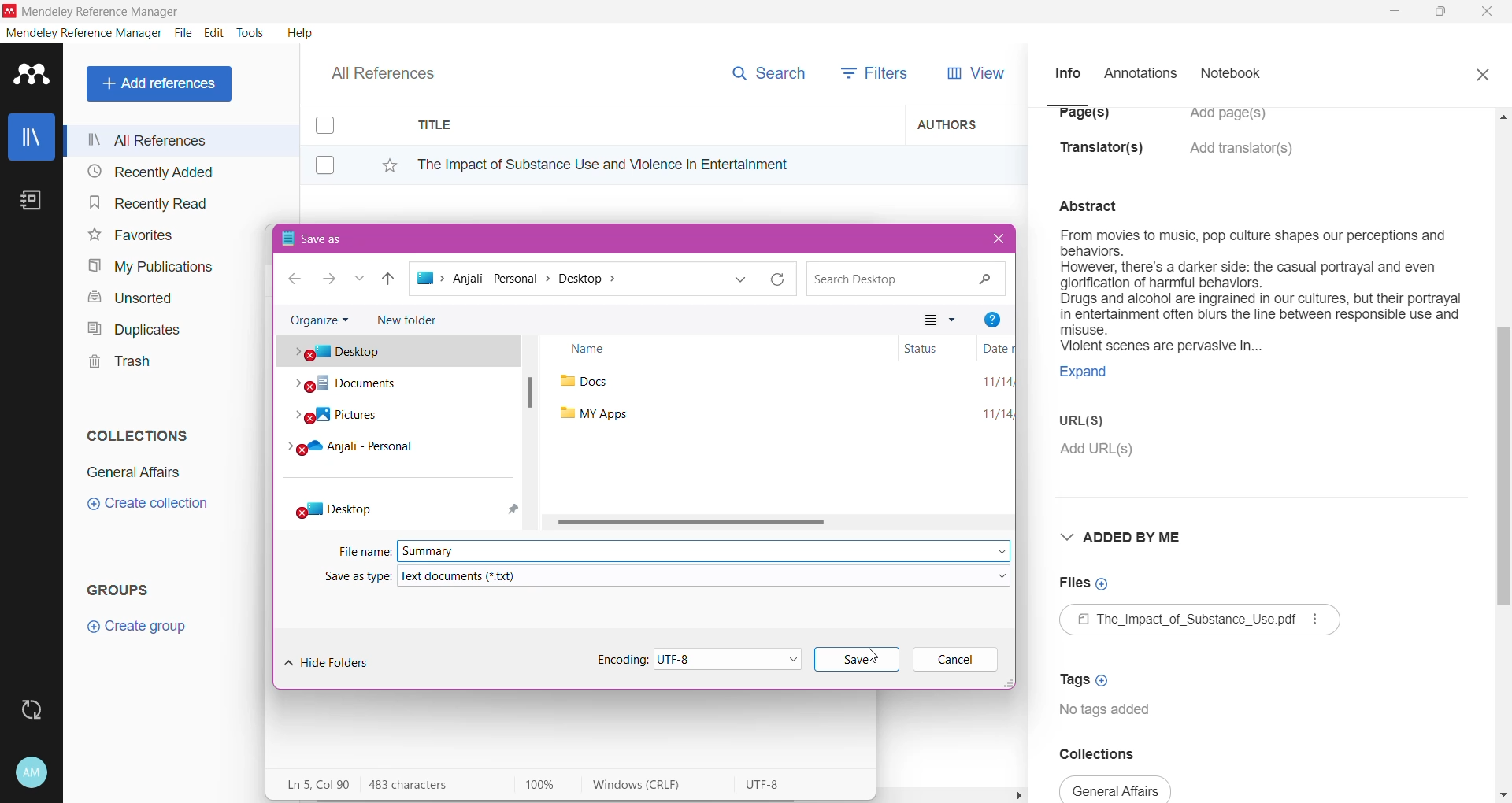 The image size is (1512, 803). Describe the element at coordinates (1395, 12) in the screenshot. I see `Minimize` at that location.